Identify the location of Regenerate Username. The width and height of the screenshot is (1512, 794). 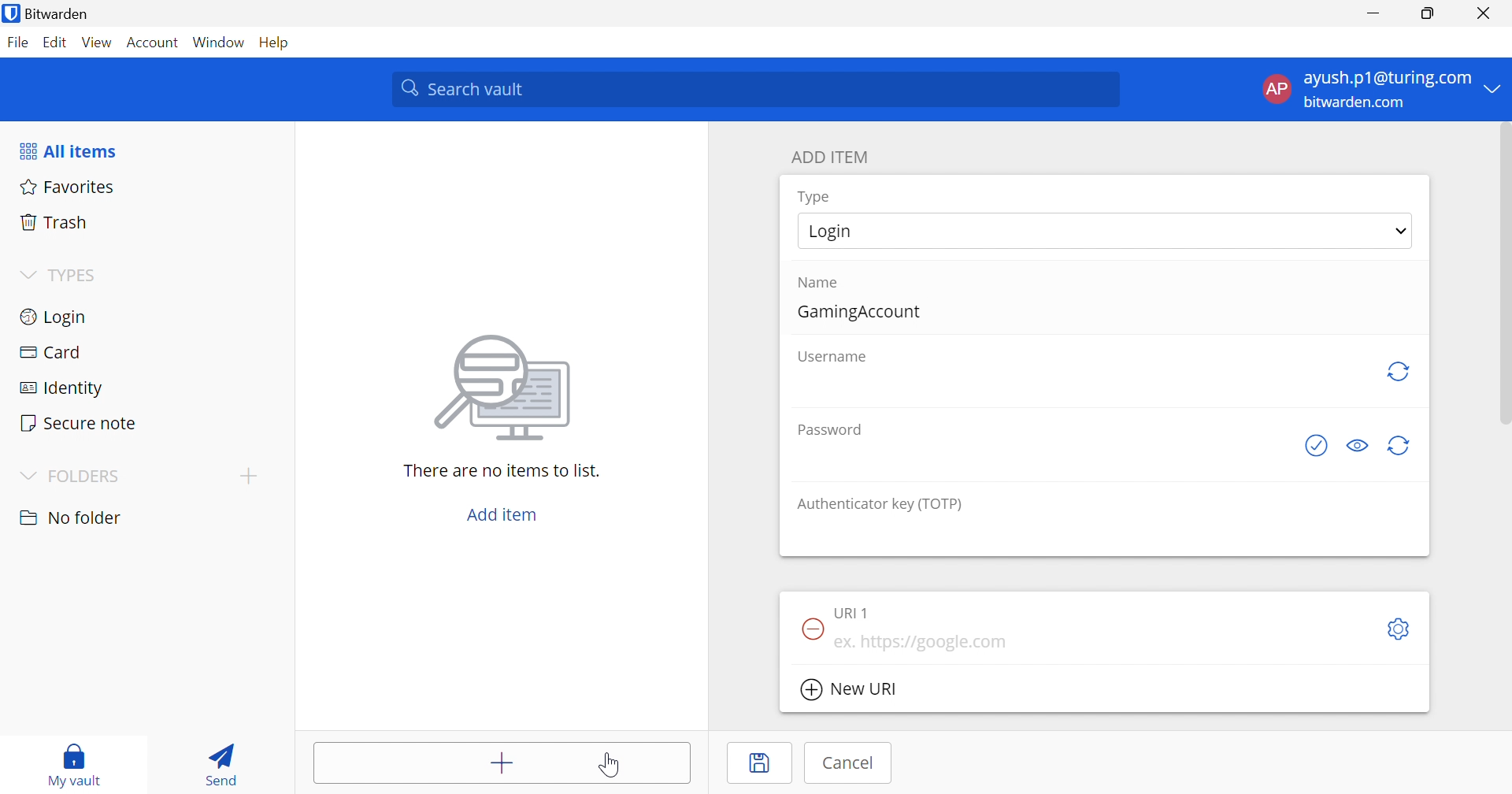
(1397, 370).